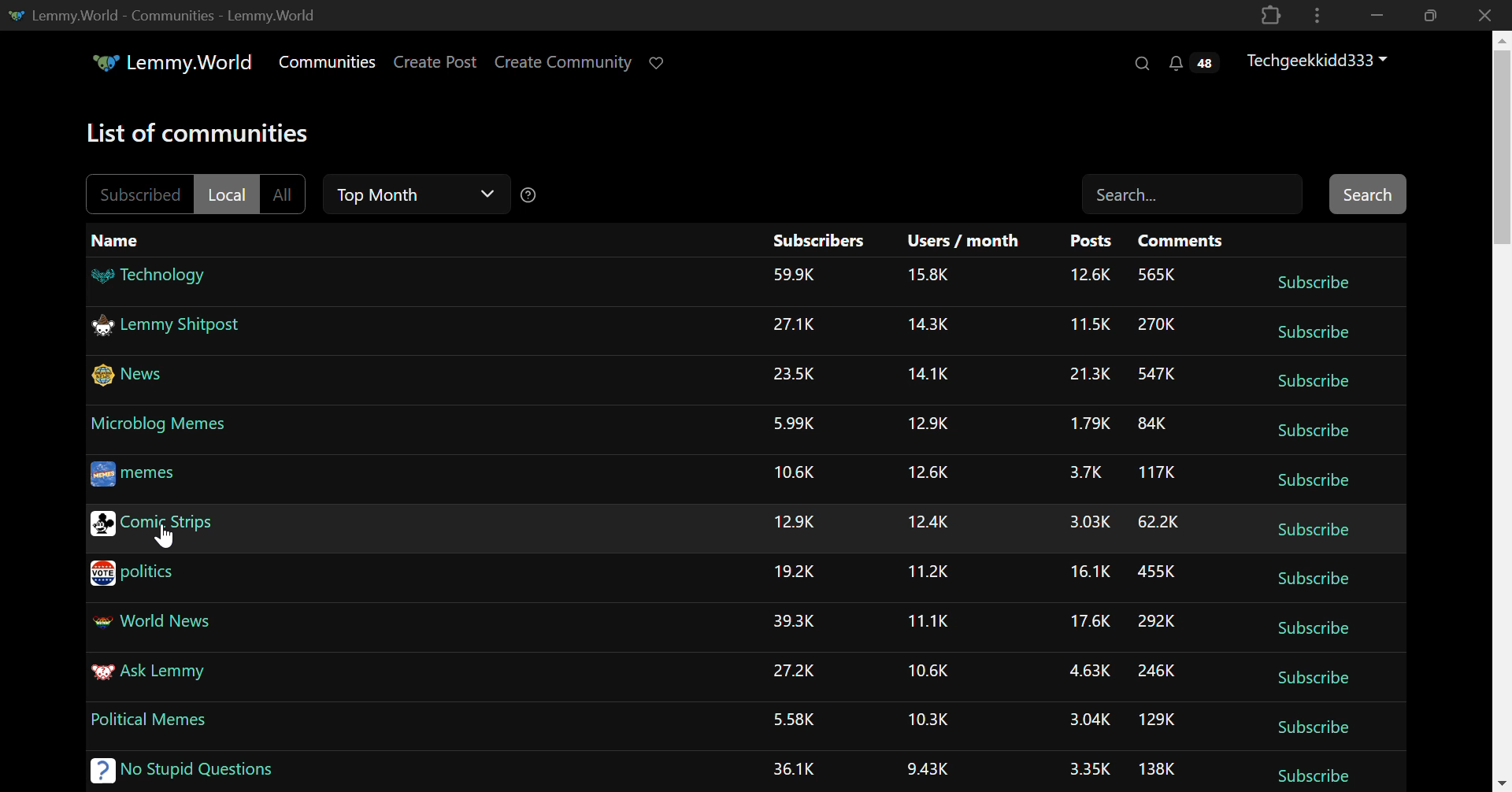  Describe the element at coordinates (1312, 775) in the screenshot. I see `Subscribe` at that location.